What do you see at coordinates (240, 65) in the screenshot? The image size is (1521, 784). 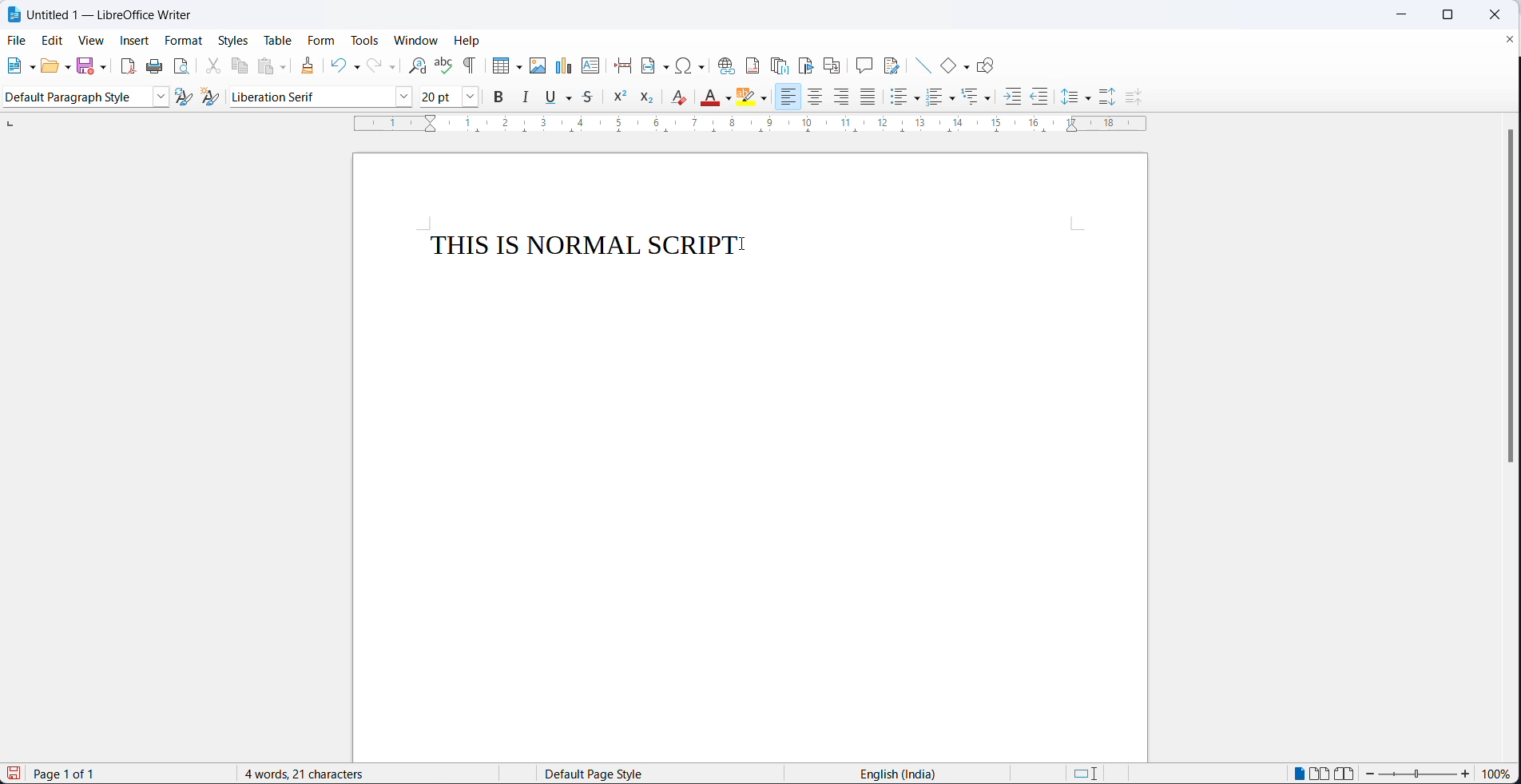 I see `copy ` at bounding box center [240, 65].